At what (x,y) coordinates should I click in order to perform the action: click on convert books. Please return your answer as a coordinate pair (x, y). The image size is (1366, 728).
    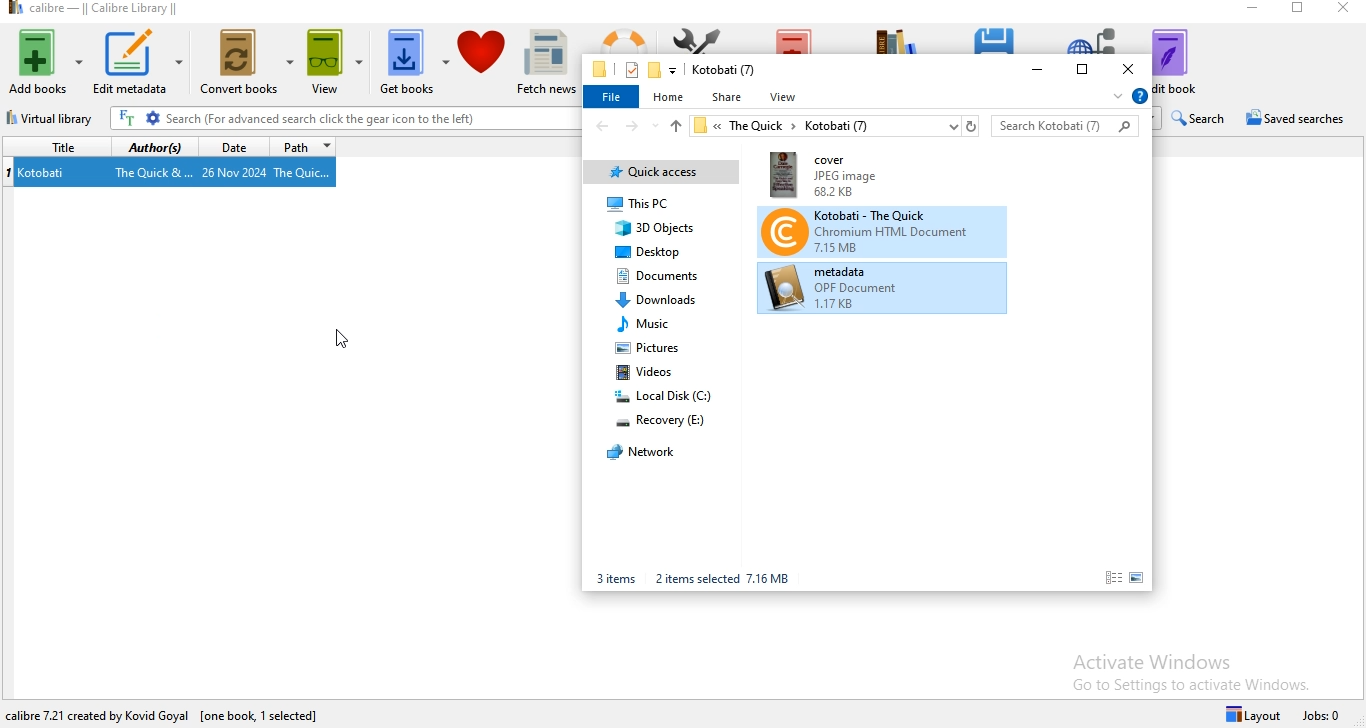
    Looking at the image, I should click on (247, 65).